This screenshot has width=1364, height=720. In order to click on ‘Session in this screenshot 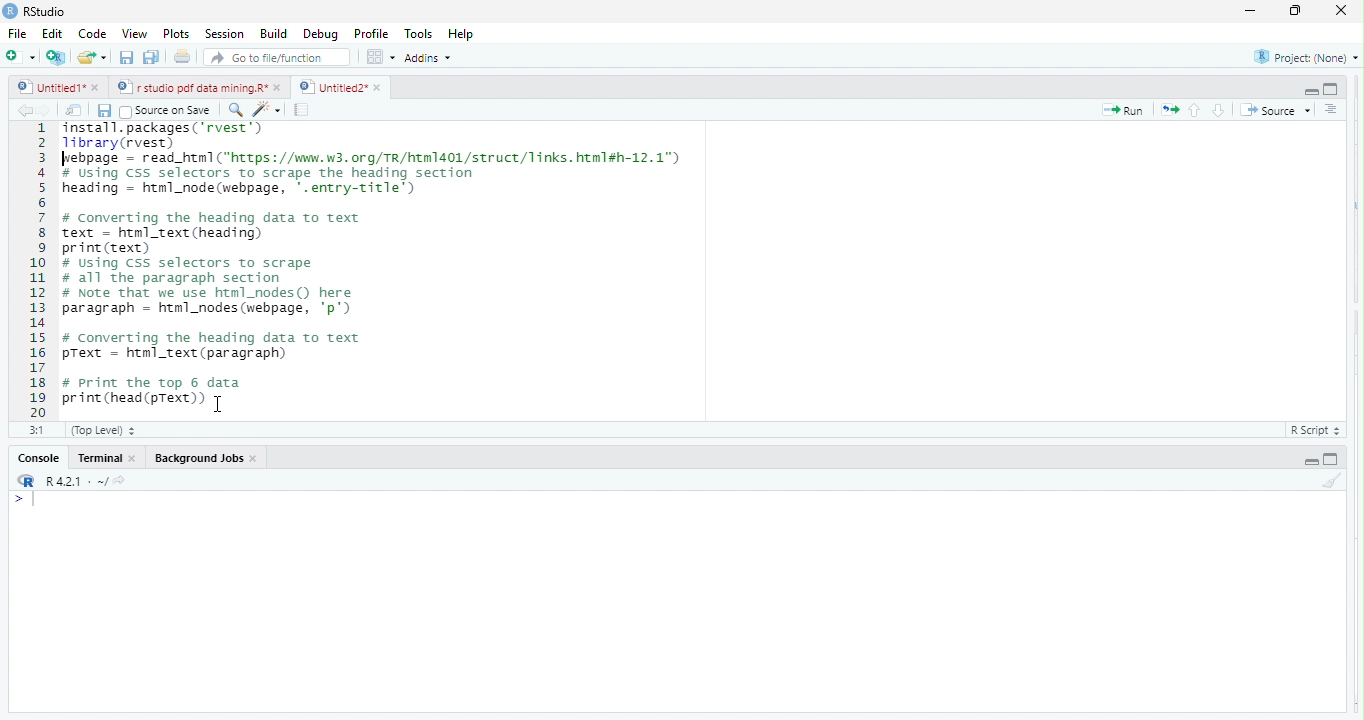, I will do `click(223, 34)`.